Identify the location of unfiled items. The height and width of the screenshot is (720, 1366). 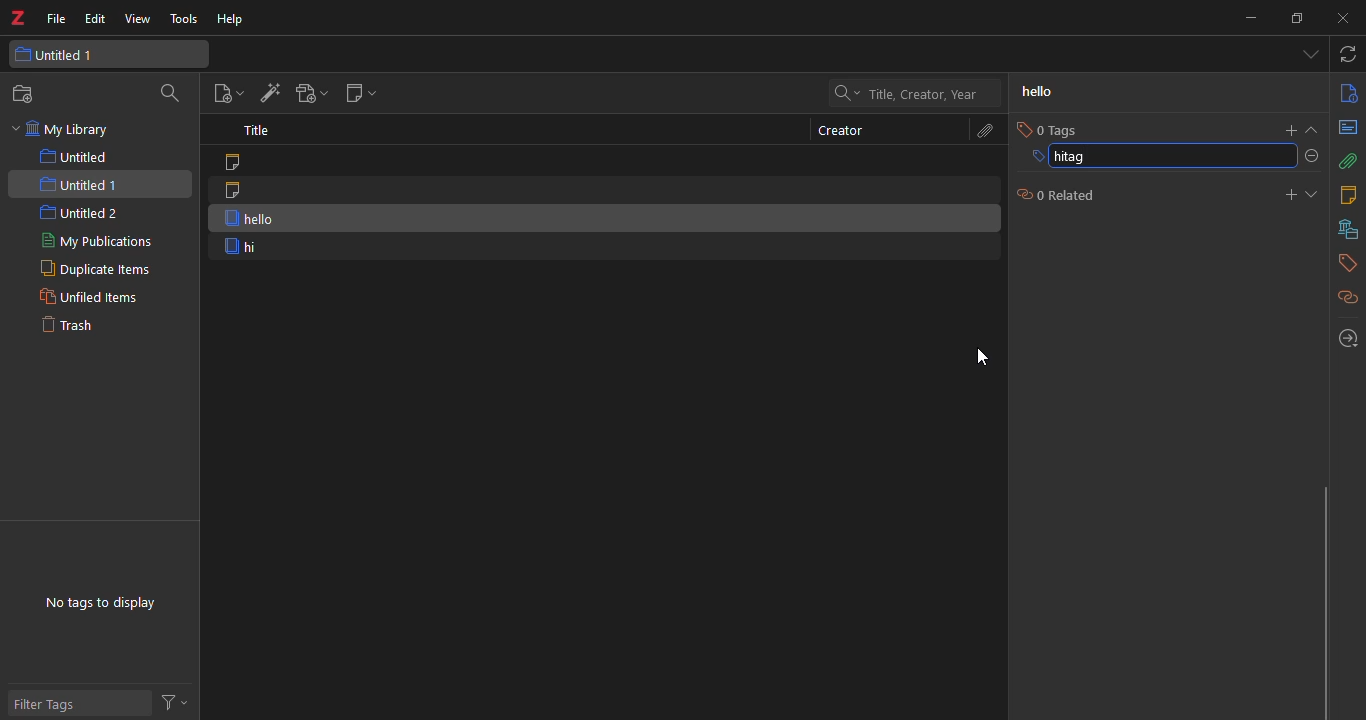
(88, 297).